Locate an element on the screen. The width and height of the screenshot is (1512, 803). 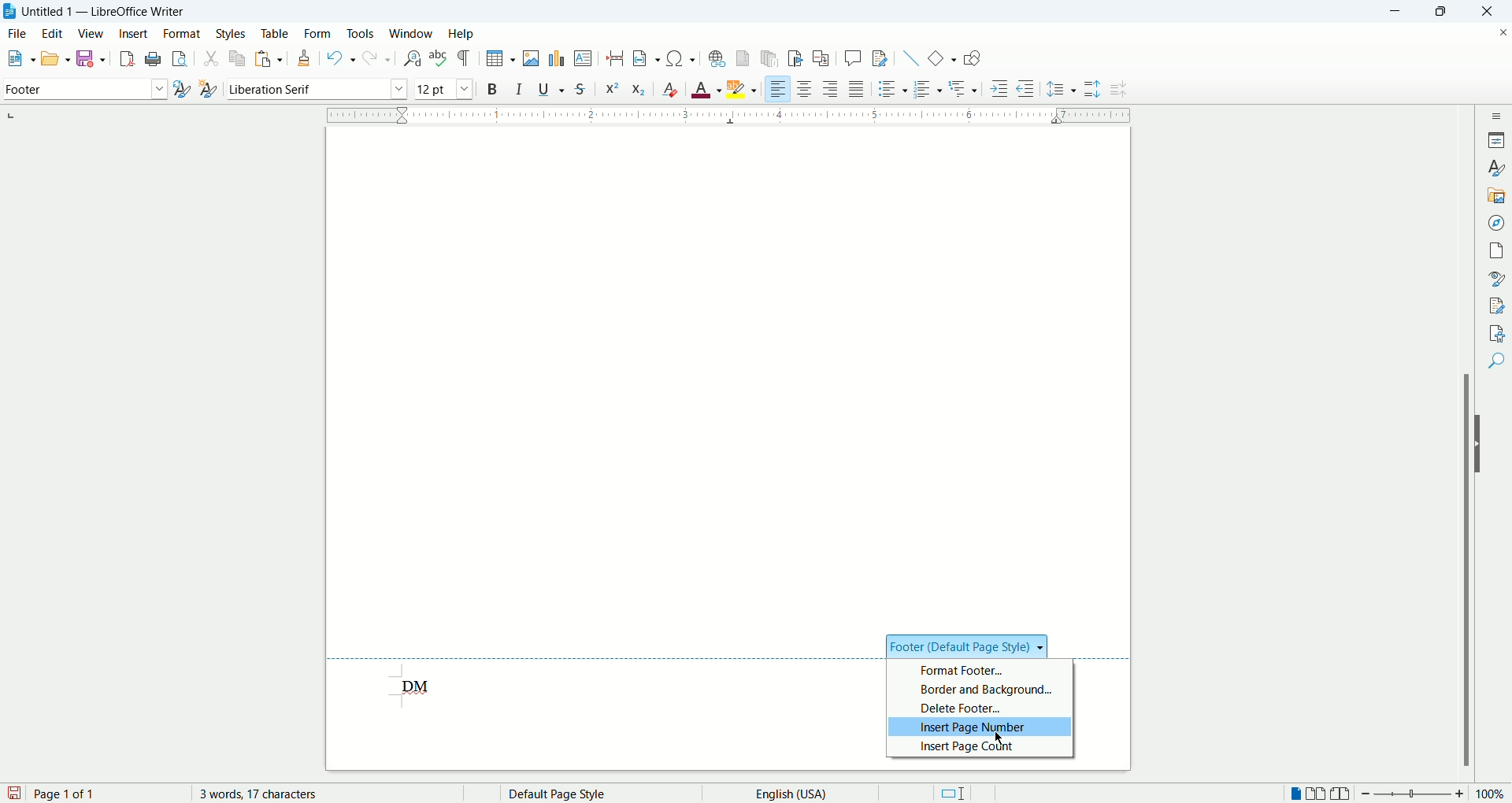
form is located at coordinates (318, 32).